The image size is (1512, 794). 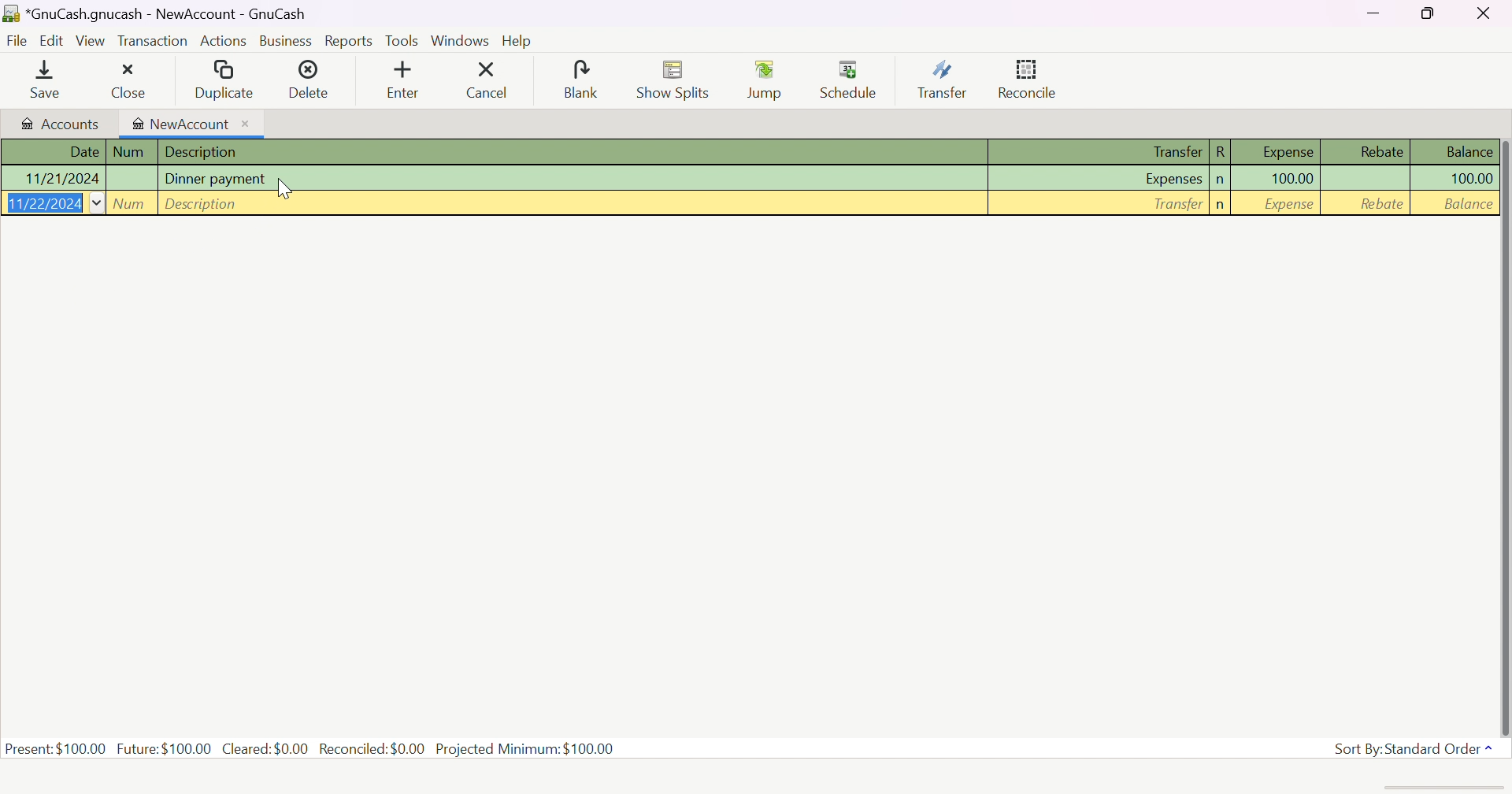 What do you see at coordinates (46, 202) in the screenshot?
I see `11/22/2024` at bounding box center [46, 202].